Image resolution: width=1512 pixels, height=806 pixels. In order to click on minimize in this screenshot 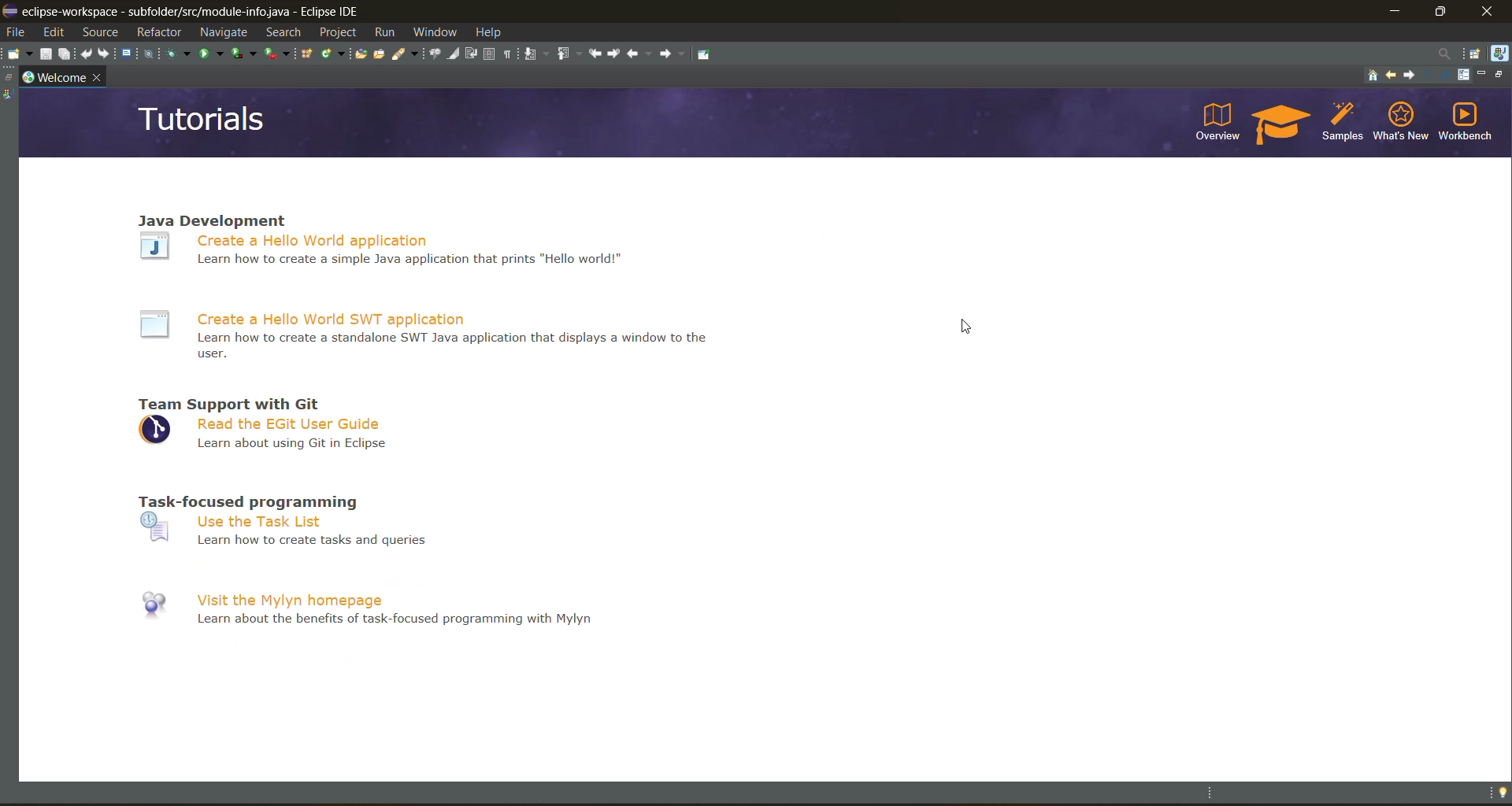, I will do `click(1484, 76)`.